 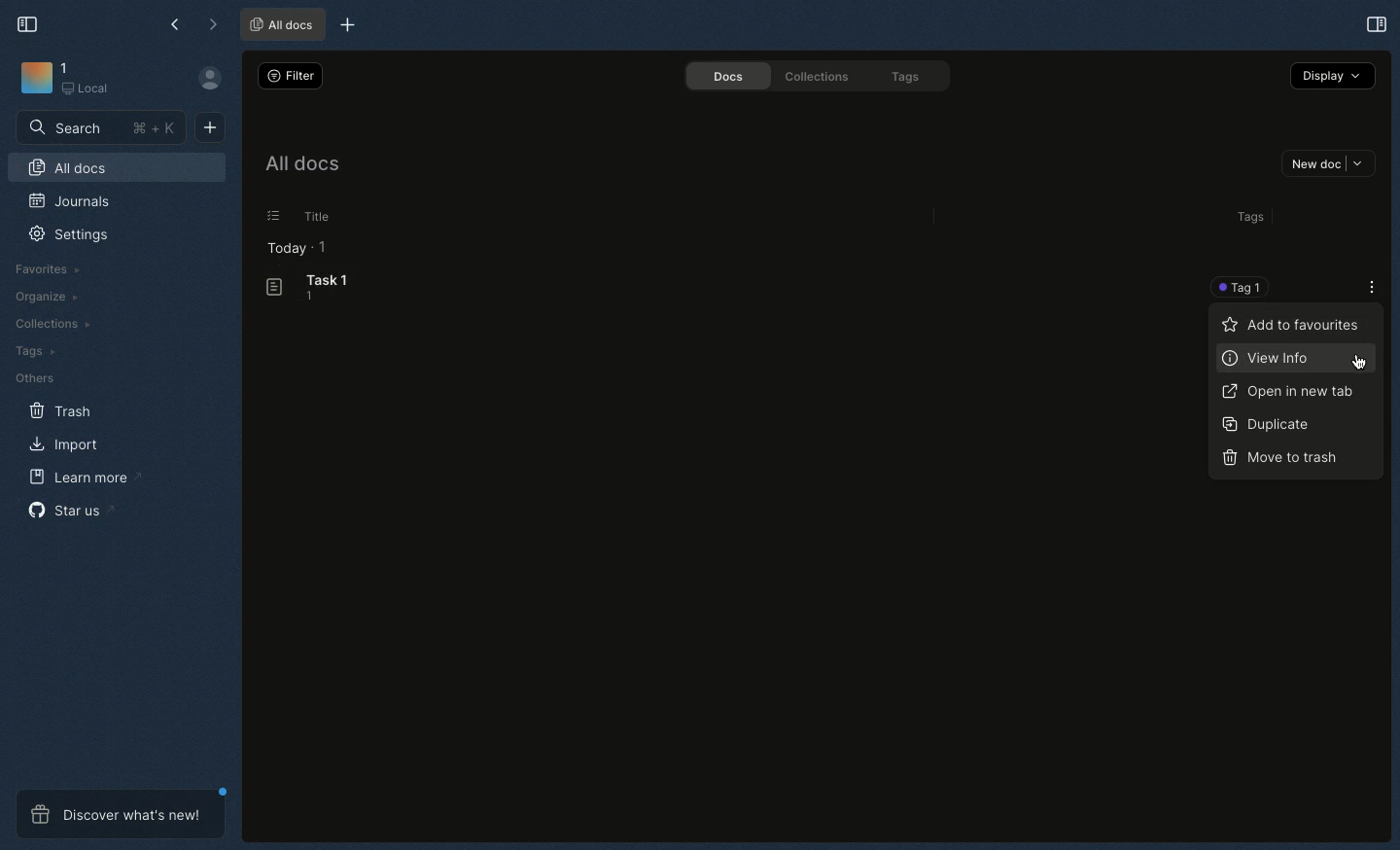 What do you see at coordinates (1367, 285) in the screenshot?
I see `Options` at bounding box center [1367, 285].